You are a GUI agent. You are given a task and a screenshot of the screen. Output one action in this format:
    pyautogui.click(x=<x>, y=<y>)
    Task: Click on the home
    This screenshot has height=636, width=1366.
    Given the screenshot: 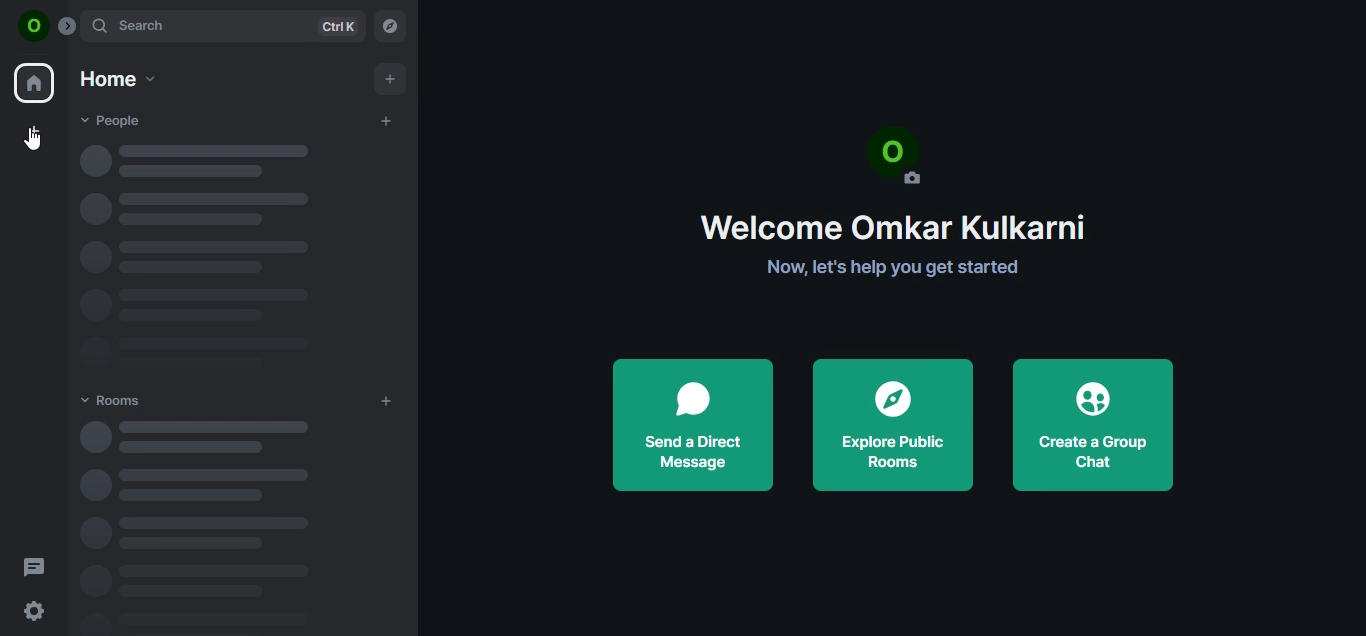 What is the action you would take?
    pyautogui.click(x=117, y=76)
    